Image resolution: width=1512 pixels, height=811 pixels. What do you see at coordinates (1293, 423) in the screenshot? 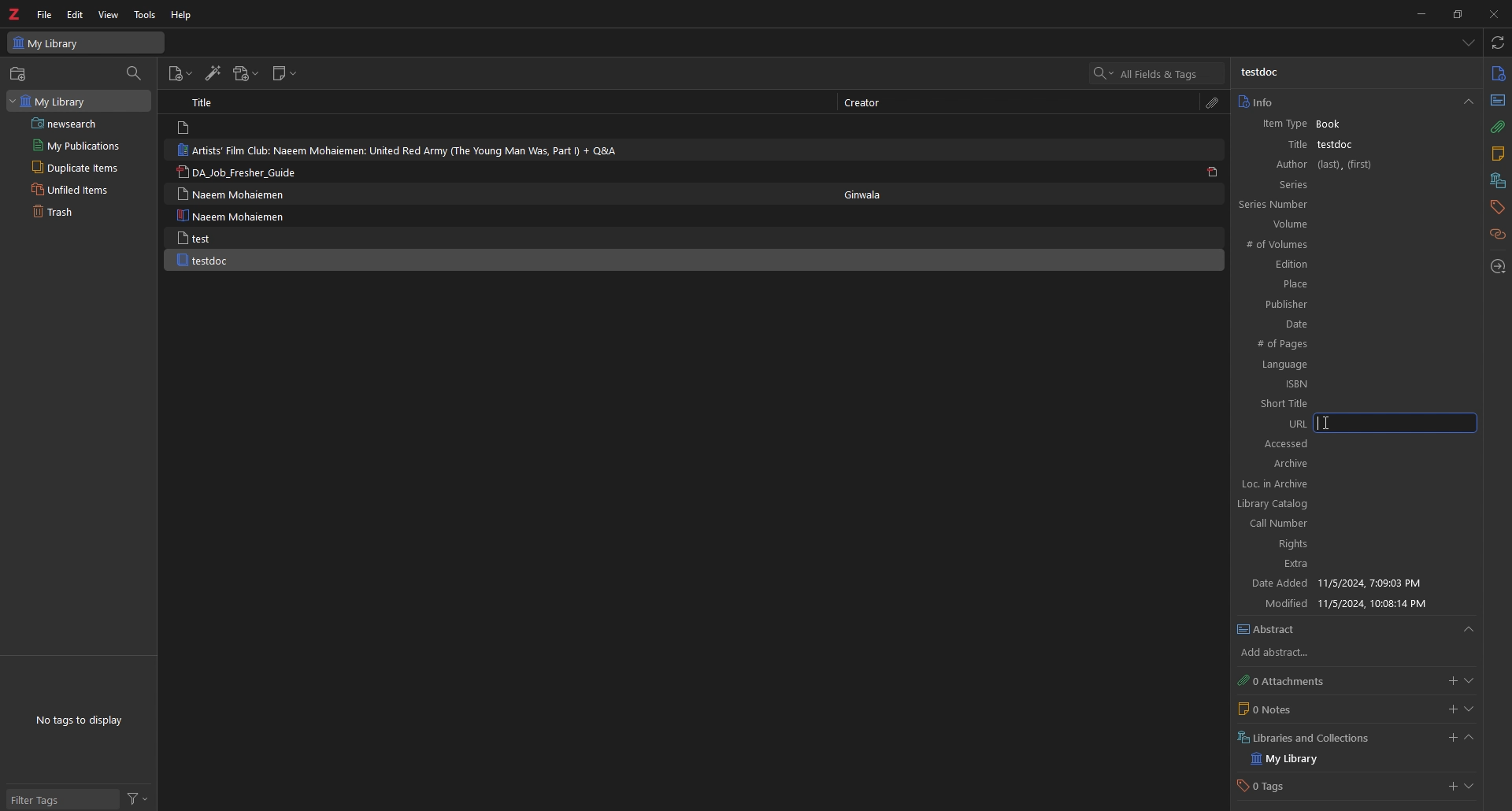
I see `URL` at bounding box center [1293, 423].